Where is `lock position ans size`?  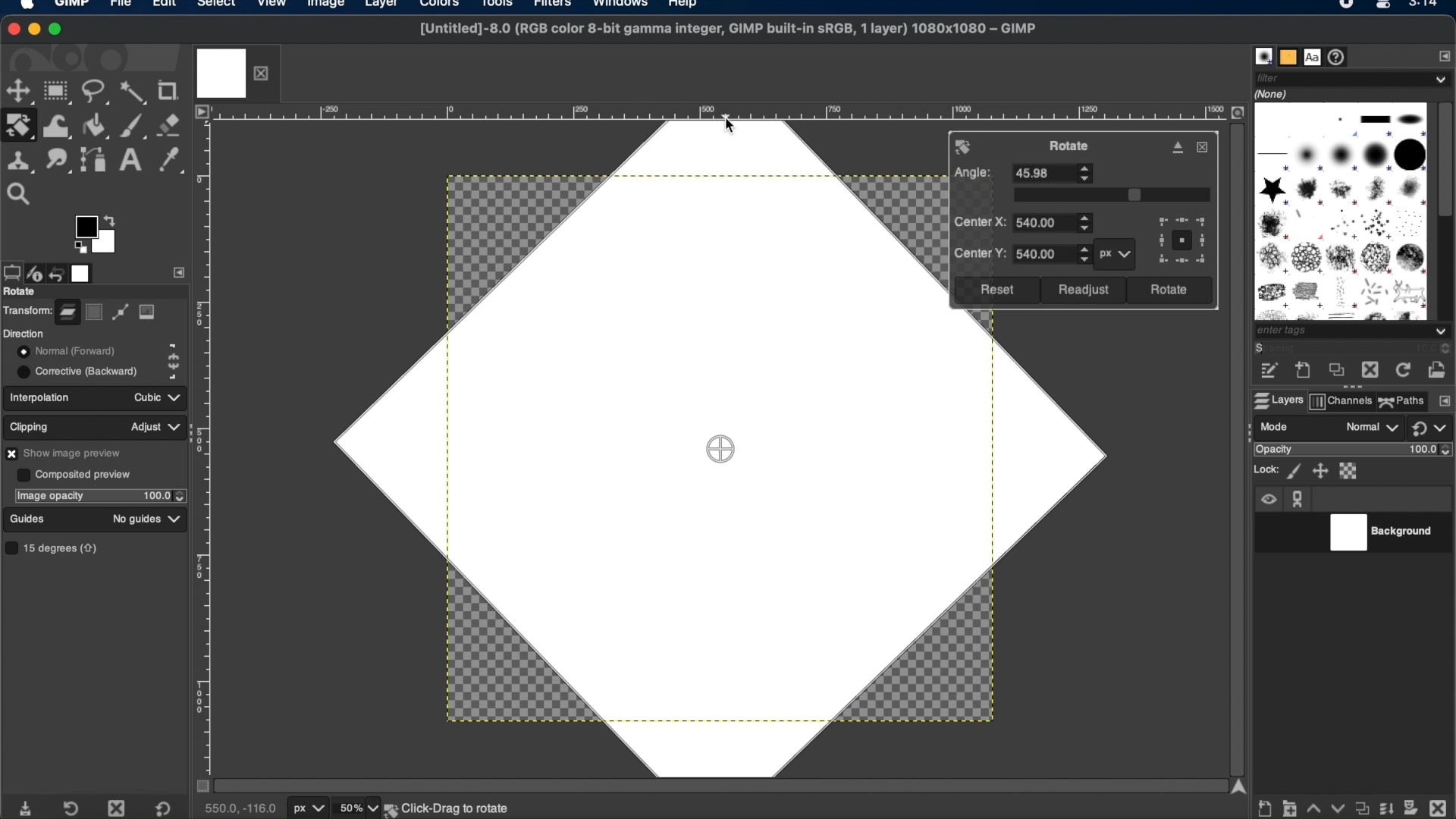 lock position ans size is located at coordinates (1319, 471).